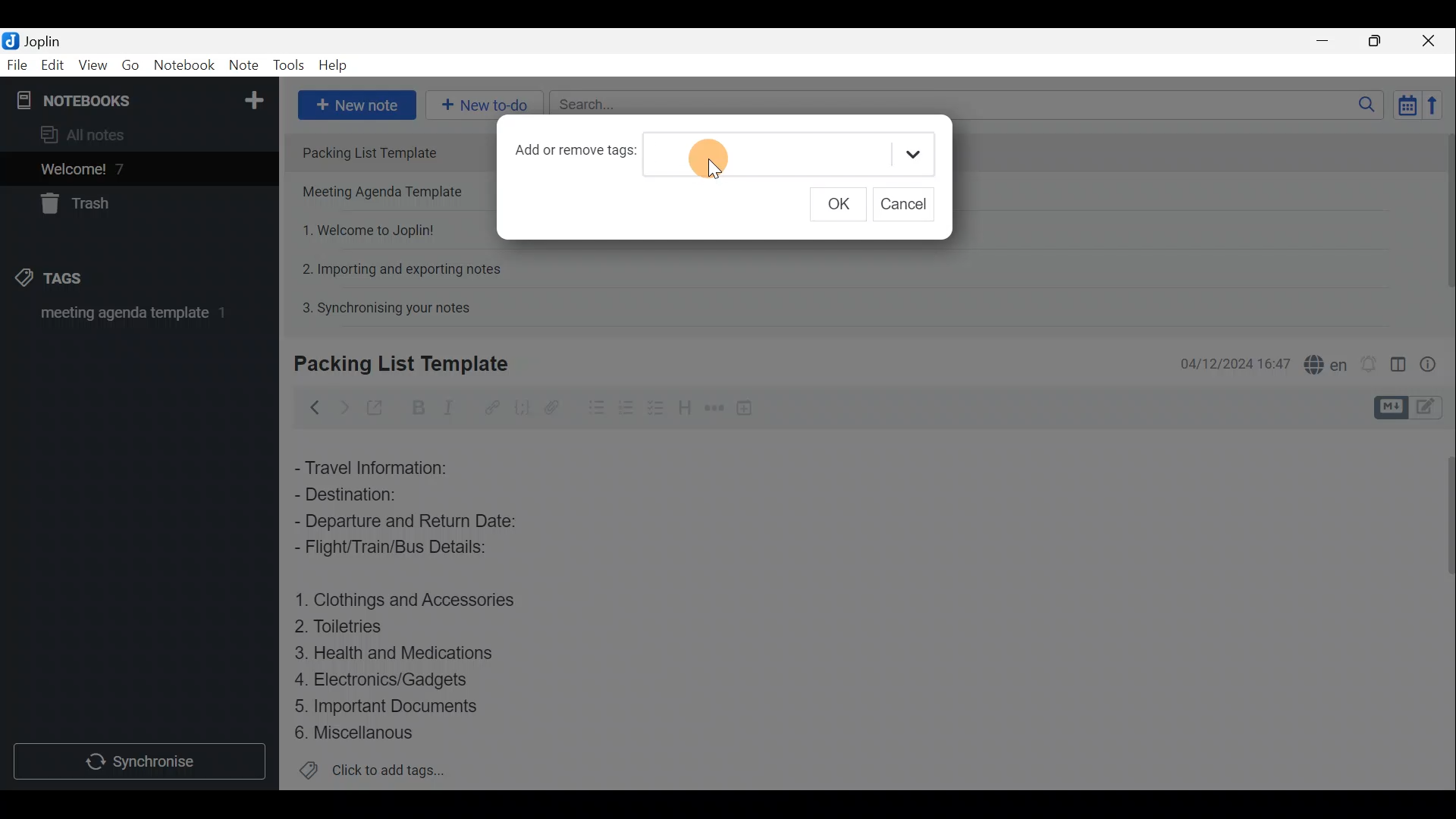 This screenshot has width=1456, height=819. What do you see at coordinates (575, 155) in the screenshot?
I see `Add or remove tags` at bounding box center [575, 155].